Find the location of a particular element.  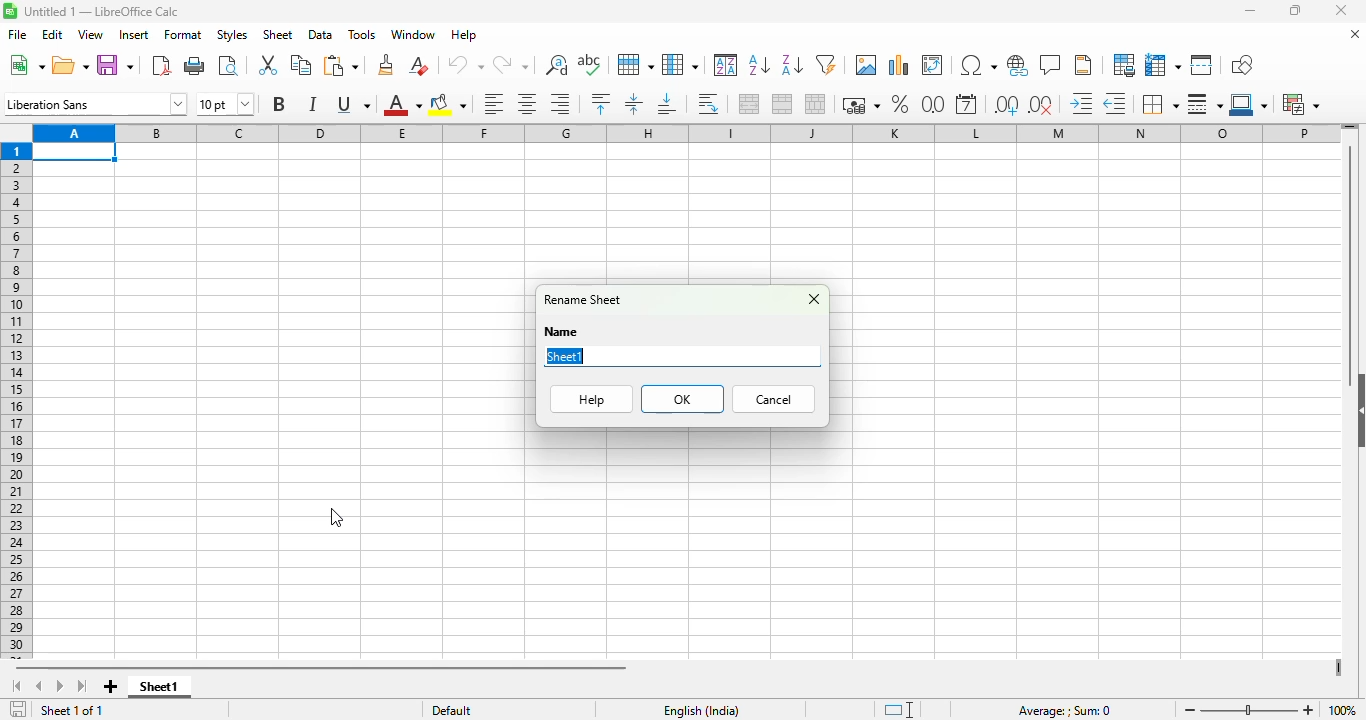

Untitled 1 - LibreOffice Calc is located at coordinates (102, 12).